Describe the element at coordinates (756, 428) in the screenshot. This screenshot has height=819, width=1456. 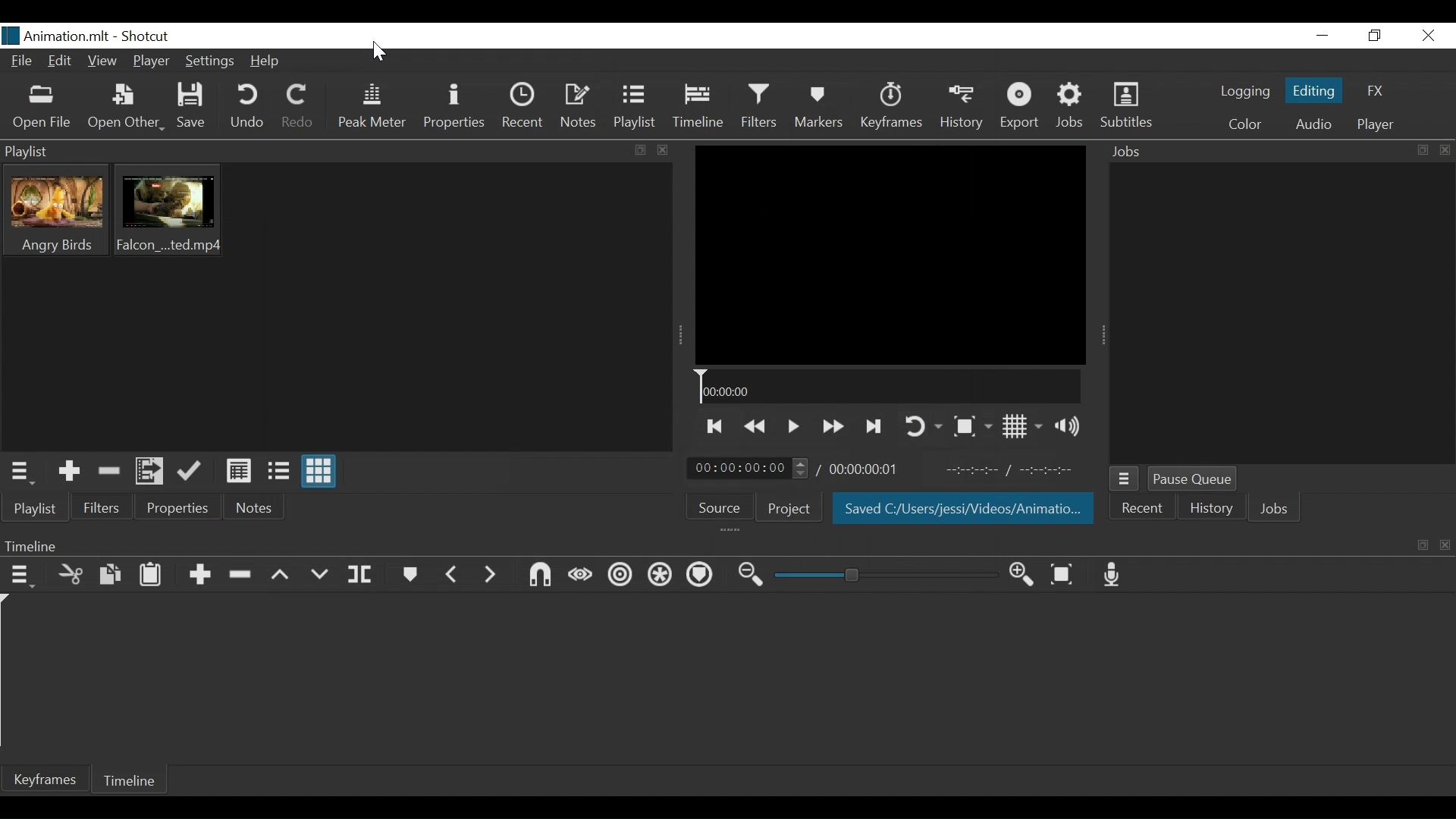
I see `Play backward quickly` at that location.